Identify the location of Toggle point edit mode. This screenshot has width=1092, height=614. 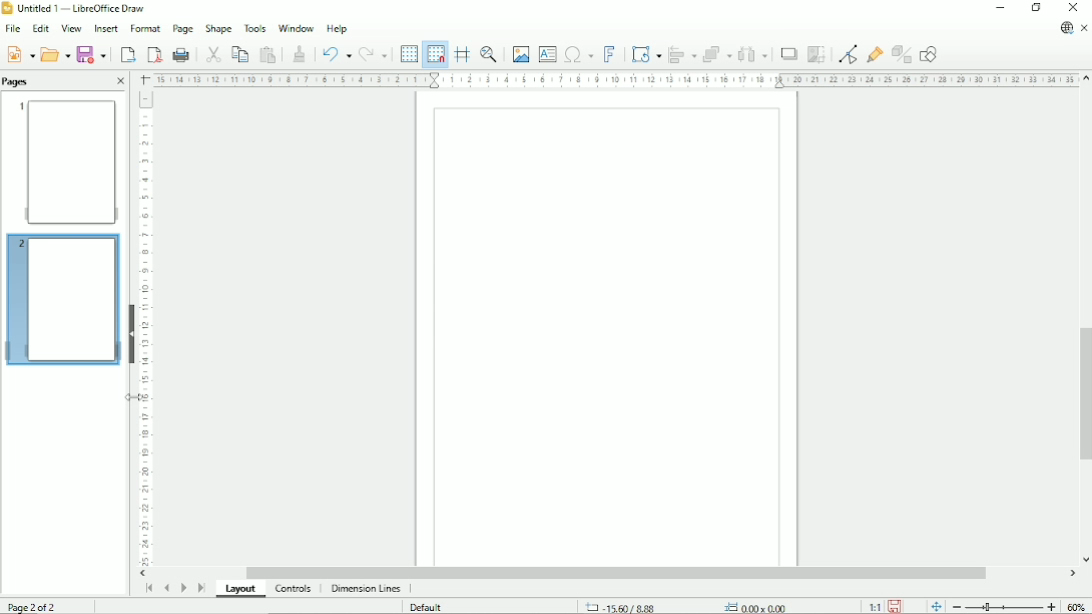
(850, 53).